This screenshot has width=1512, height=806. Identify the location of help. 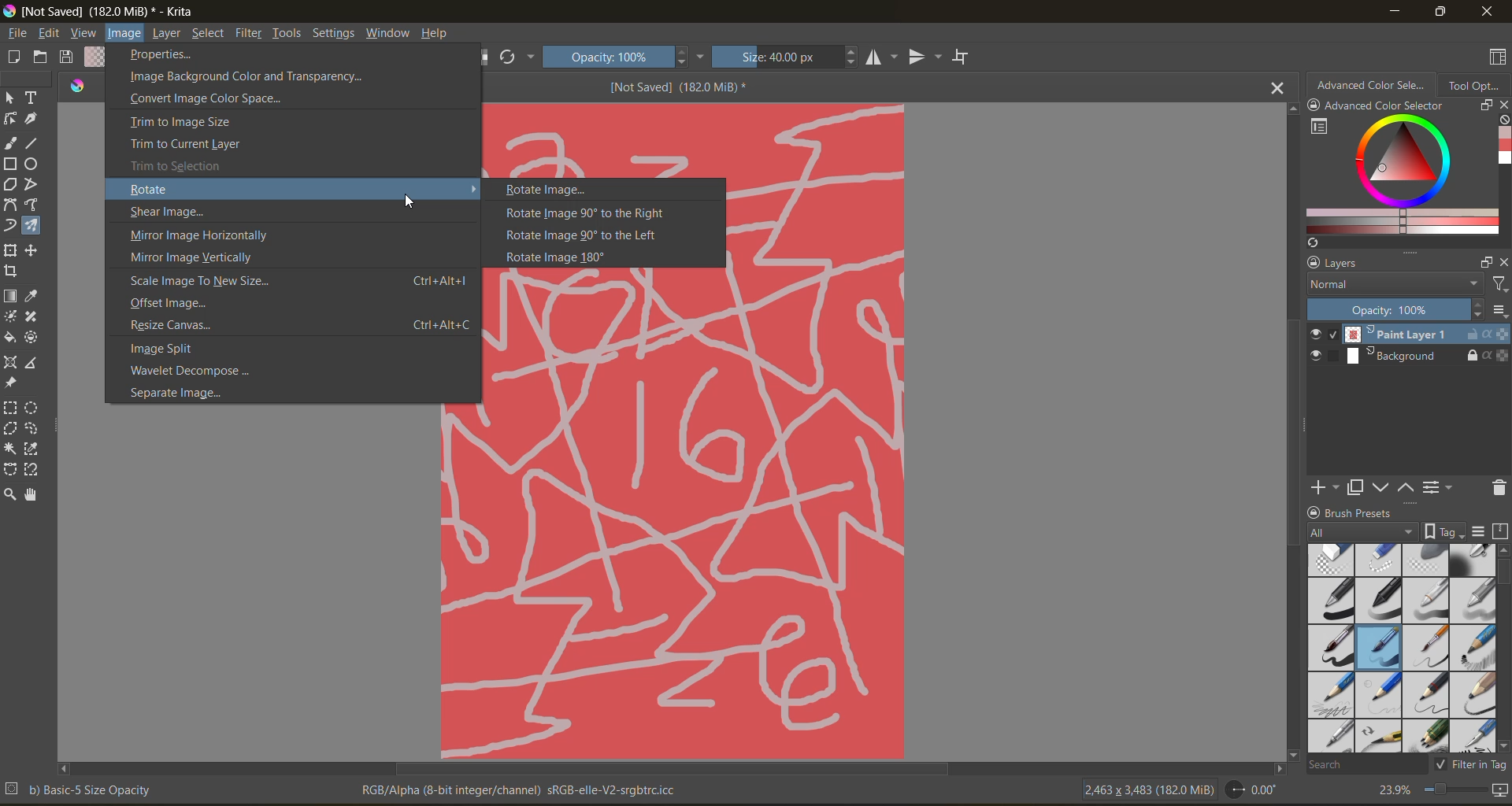
(443, 35).